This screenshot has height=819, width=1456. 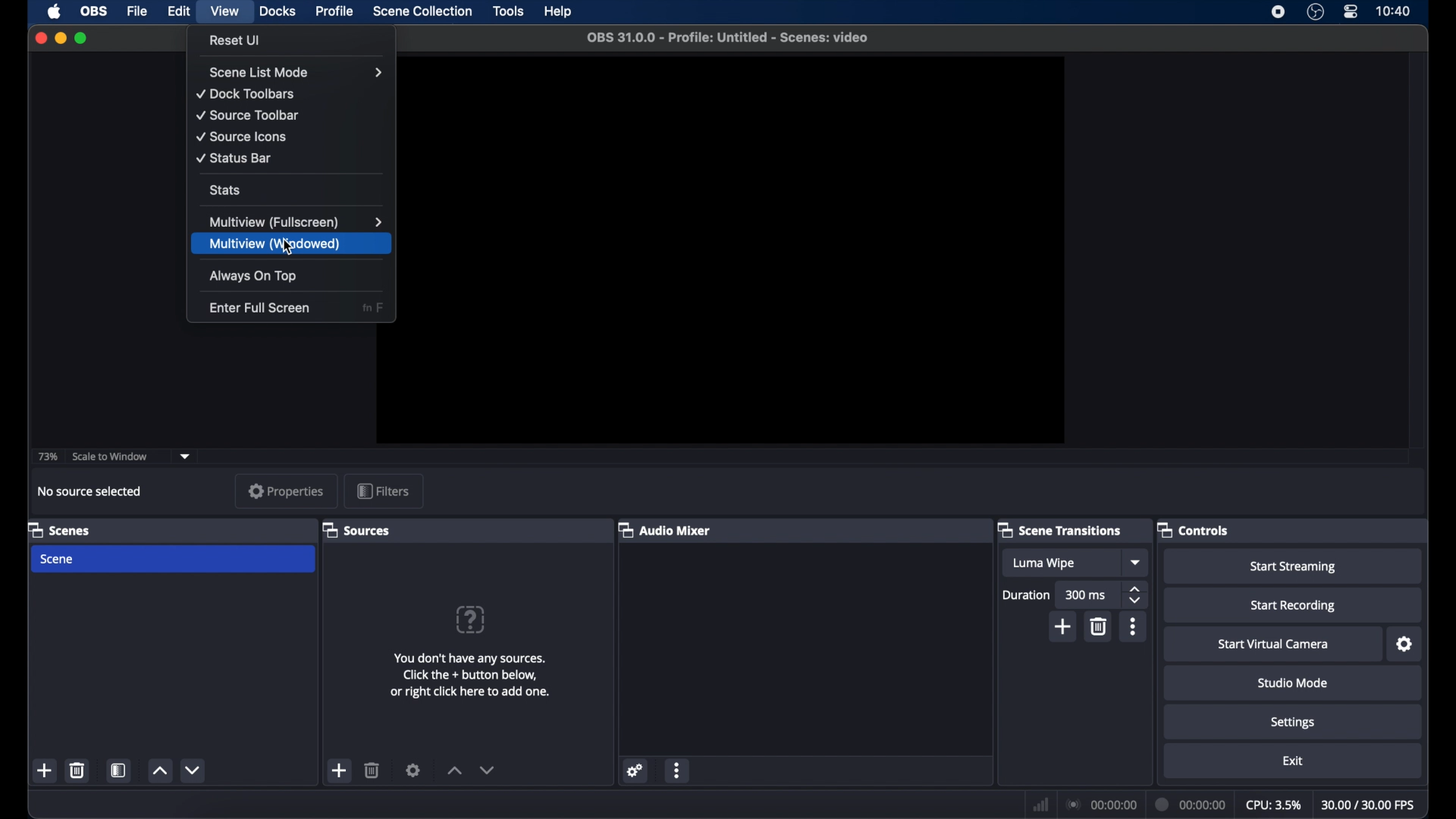 I want to click on sources, so click(x=358, y=529).